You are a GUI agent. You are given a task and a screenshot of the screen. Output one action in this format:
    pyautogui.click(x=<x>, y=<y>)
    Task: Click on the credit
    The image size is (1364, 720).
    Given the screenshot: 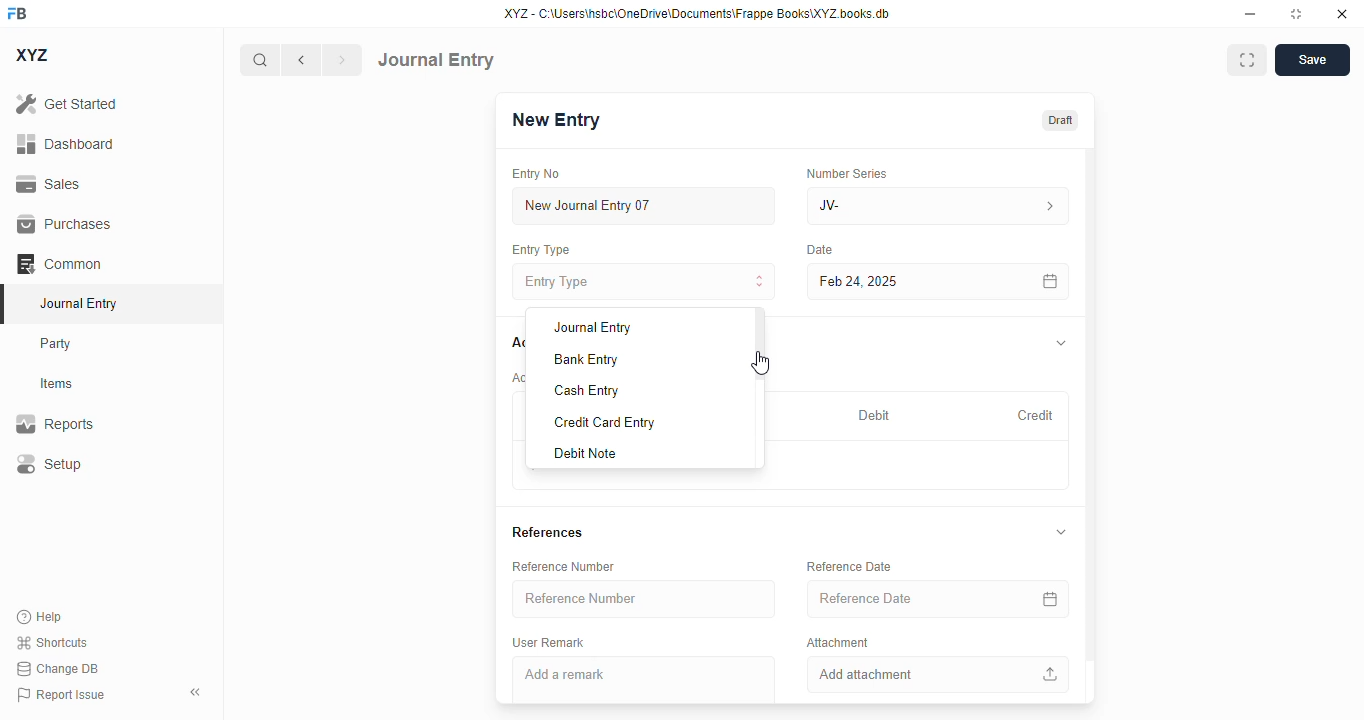 What is the action you would take?
    pyautogui.click(x=1037, y=415)
    